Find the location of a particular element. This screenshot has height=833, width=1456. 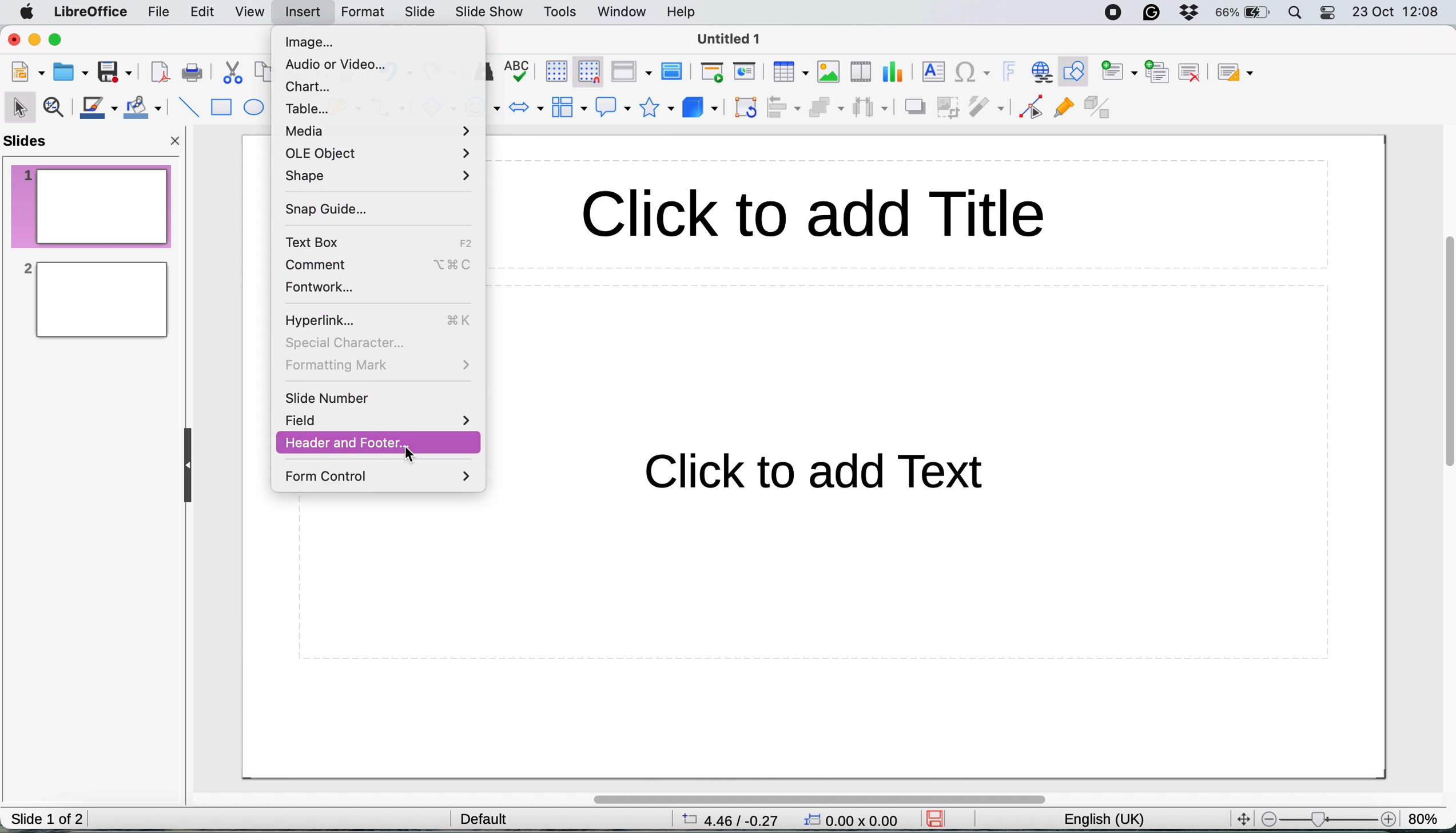

open is located at coordinates (71, 70).